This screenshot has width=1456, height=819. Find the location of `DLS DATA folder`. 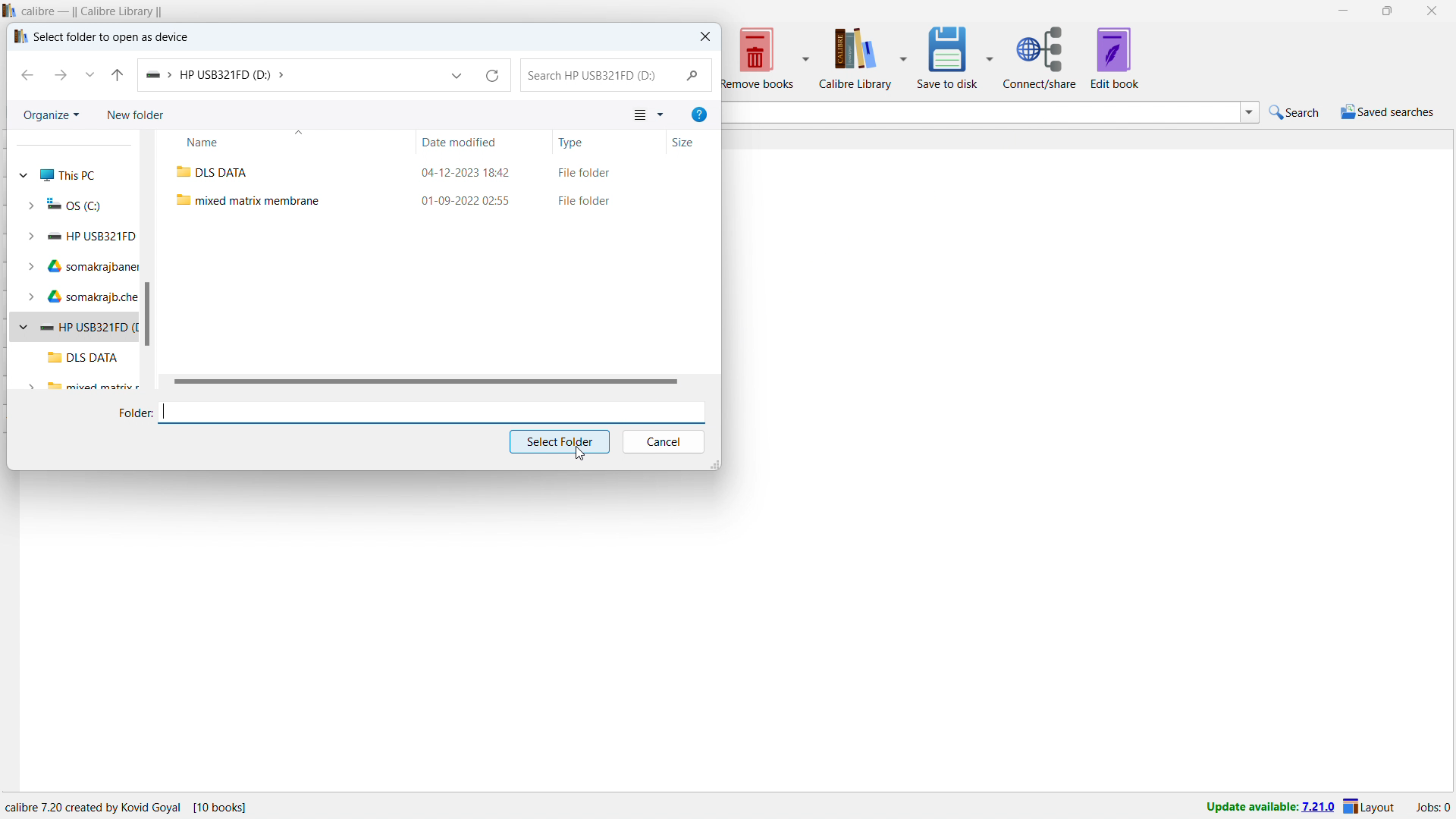

DLS DATA folder is located at coordinates (409, 169).